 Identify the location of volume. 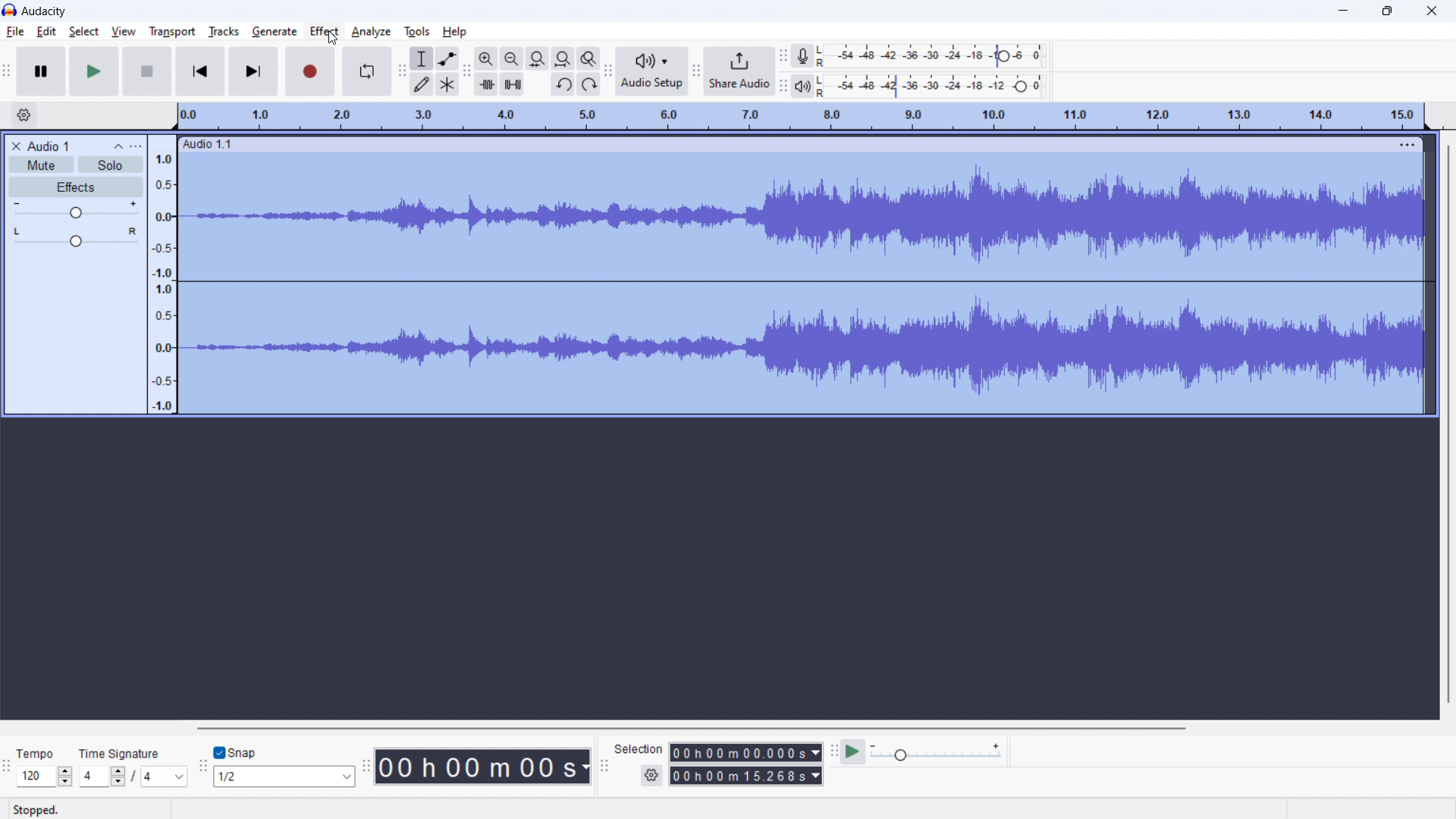
(74, 210).